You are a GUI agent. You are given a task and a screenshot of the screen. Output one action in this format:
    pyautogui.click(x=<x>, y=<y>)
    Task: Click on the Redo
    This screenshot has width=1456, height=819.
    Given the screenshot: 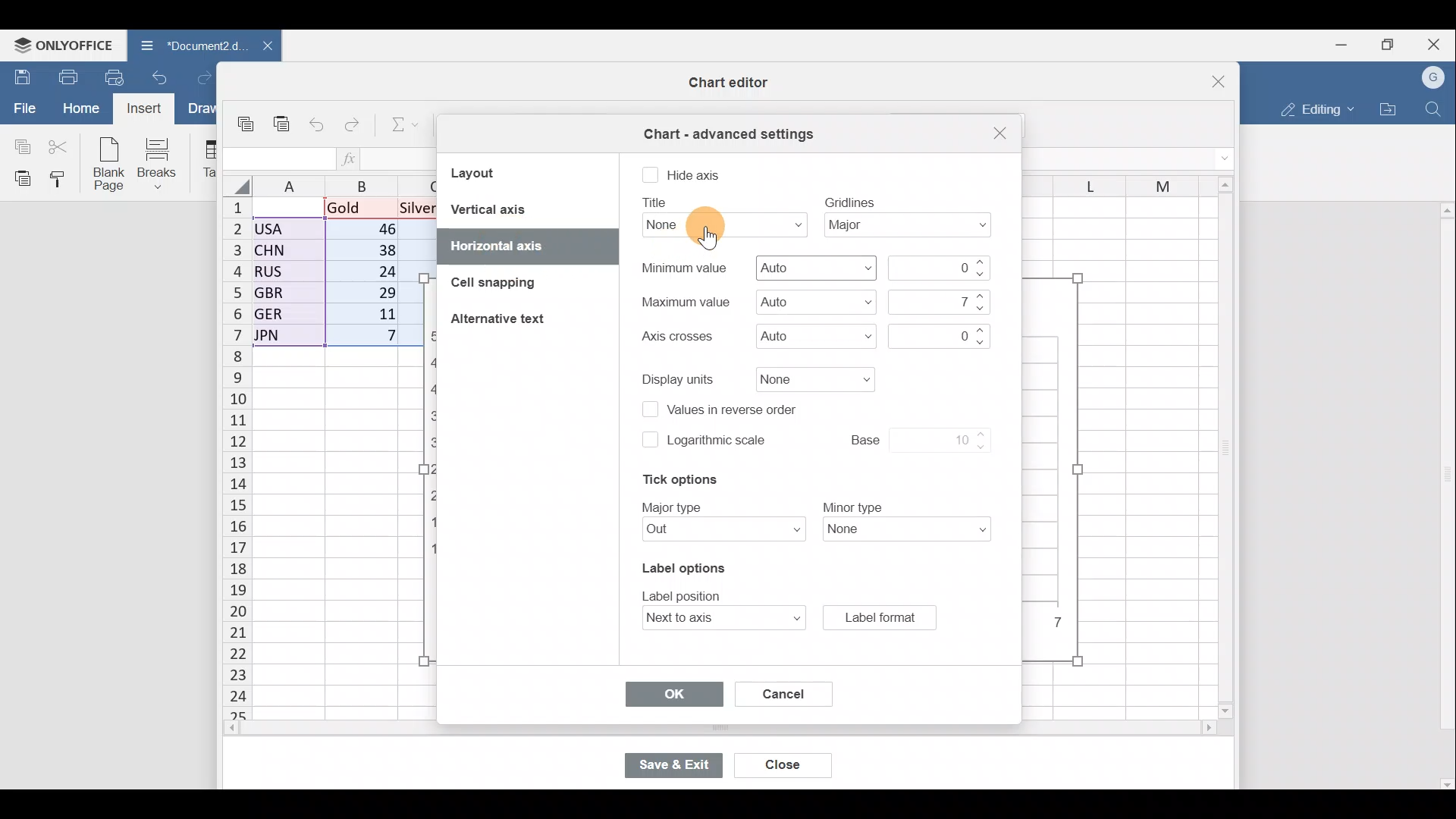 What is the action you would take?
    pyautogui.click(x=204, y=76)
    